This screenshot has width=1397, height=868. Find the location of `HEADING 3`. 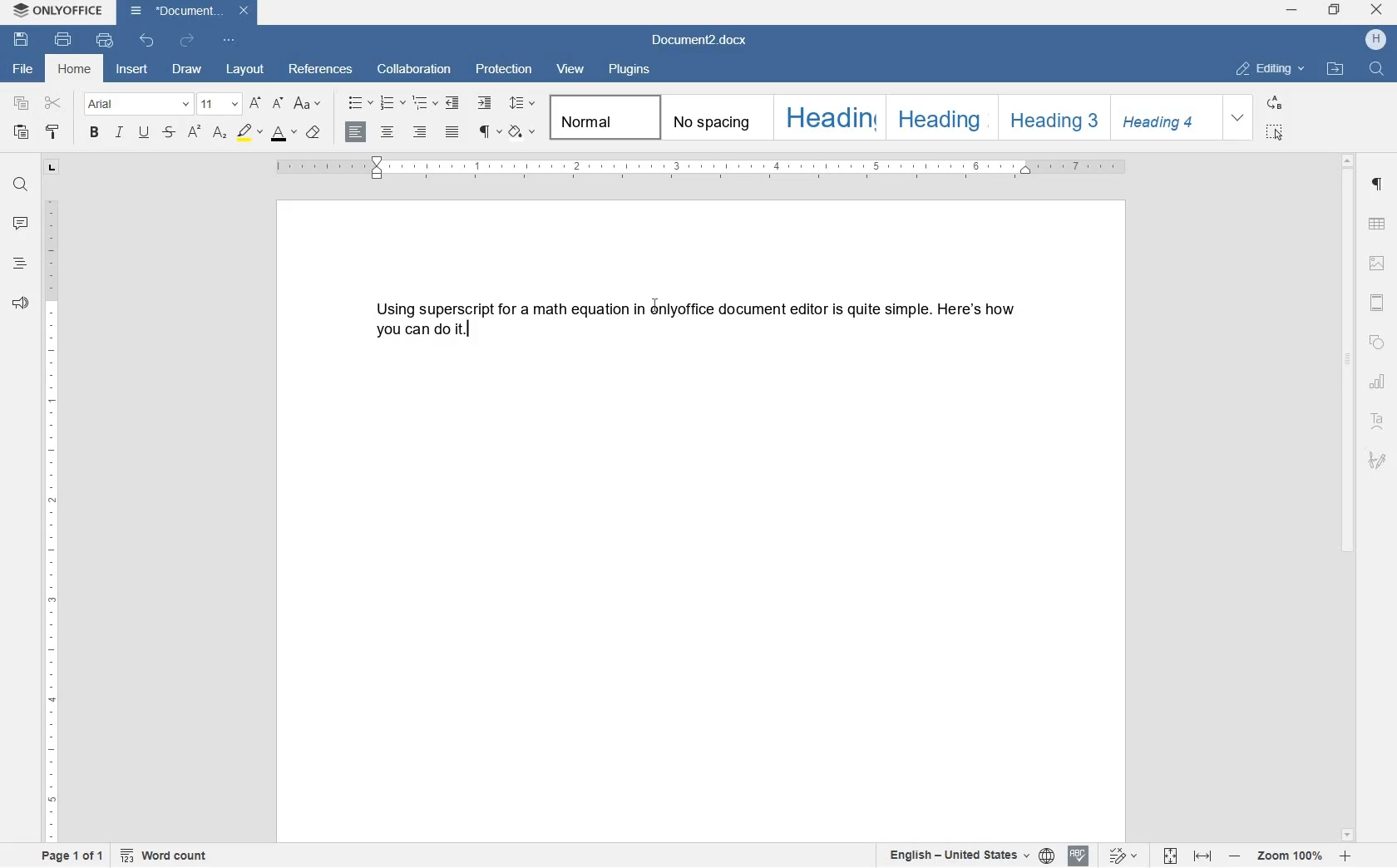

HEADING 3 is located at coordinates (1052, 116).